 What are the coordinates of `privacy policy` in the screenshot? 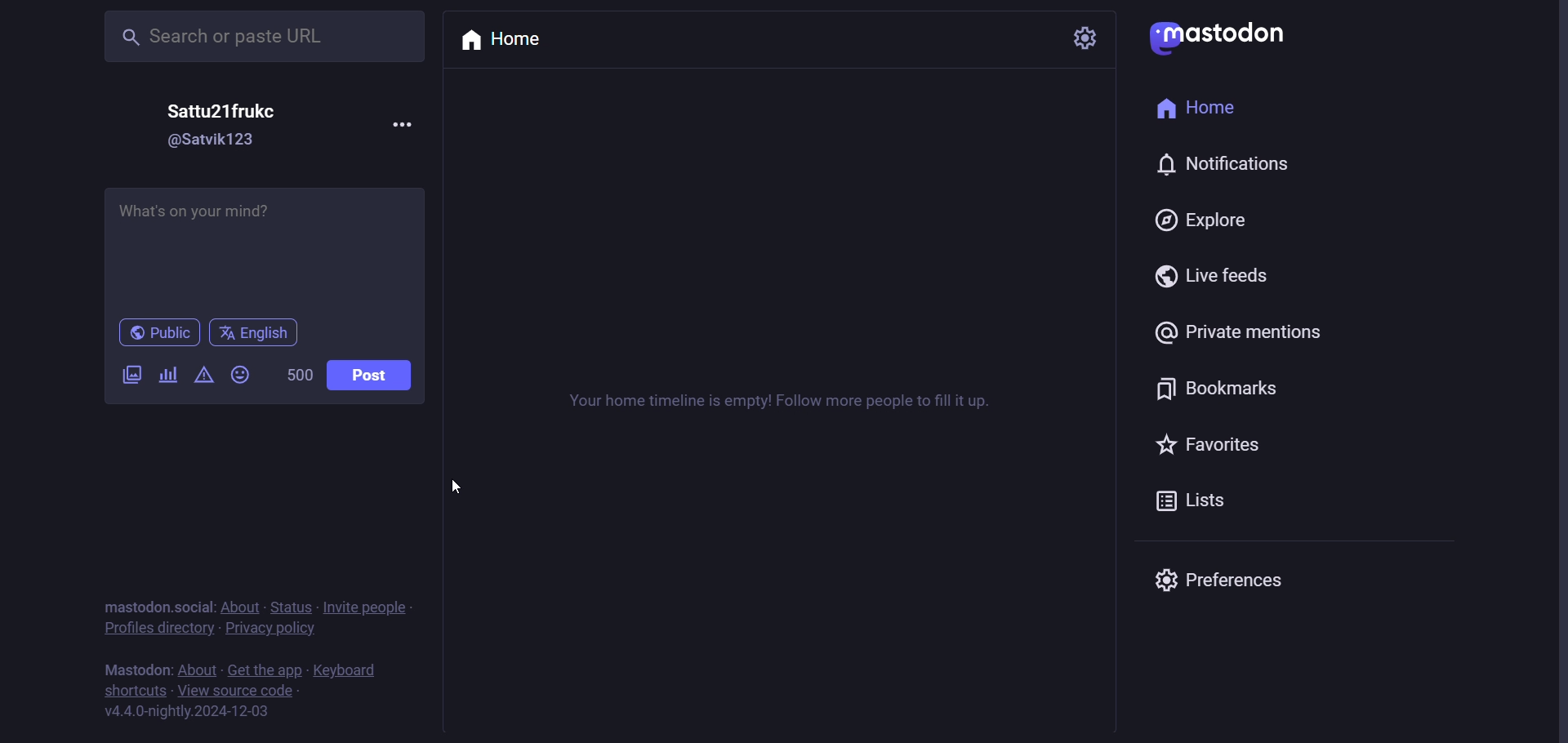 It's located at (270, 631).